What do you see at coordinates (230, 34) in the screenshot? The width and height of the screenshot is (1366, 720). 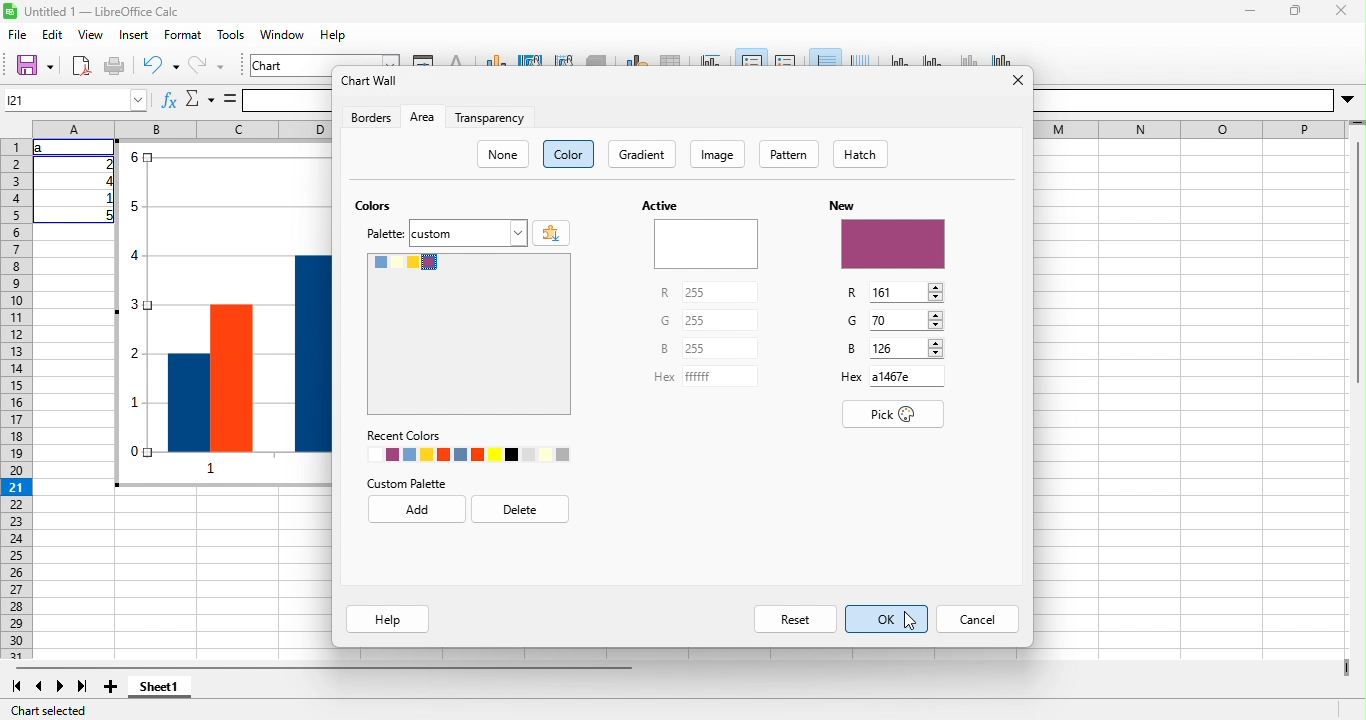 I see `tools` at bounding box center [230, 34].